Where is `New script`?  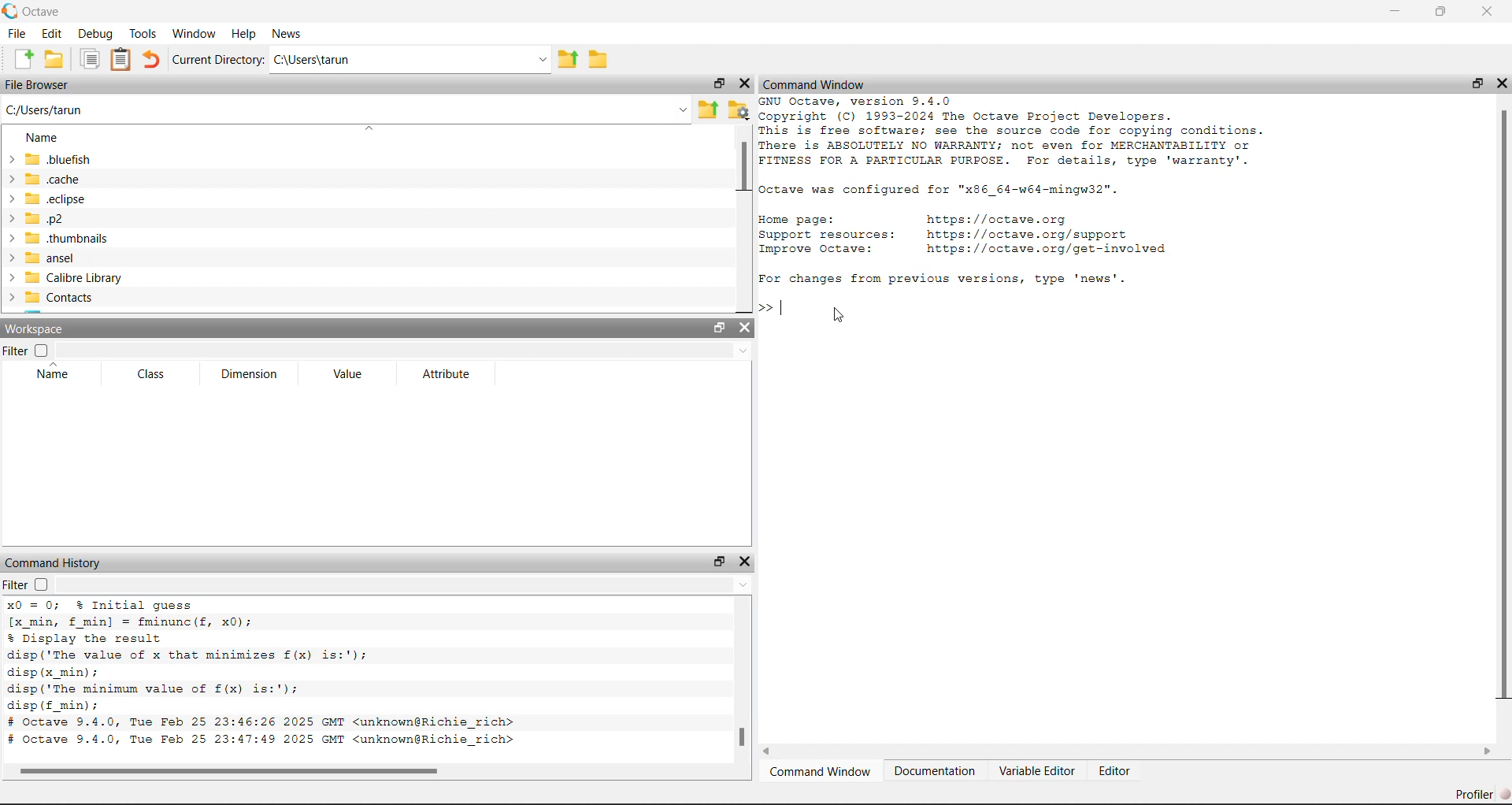
New script is located at coordinates (24, 59).